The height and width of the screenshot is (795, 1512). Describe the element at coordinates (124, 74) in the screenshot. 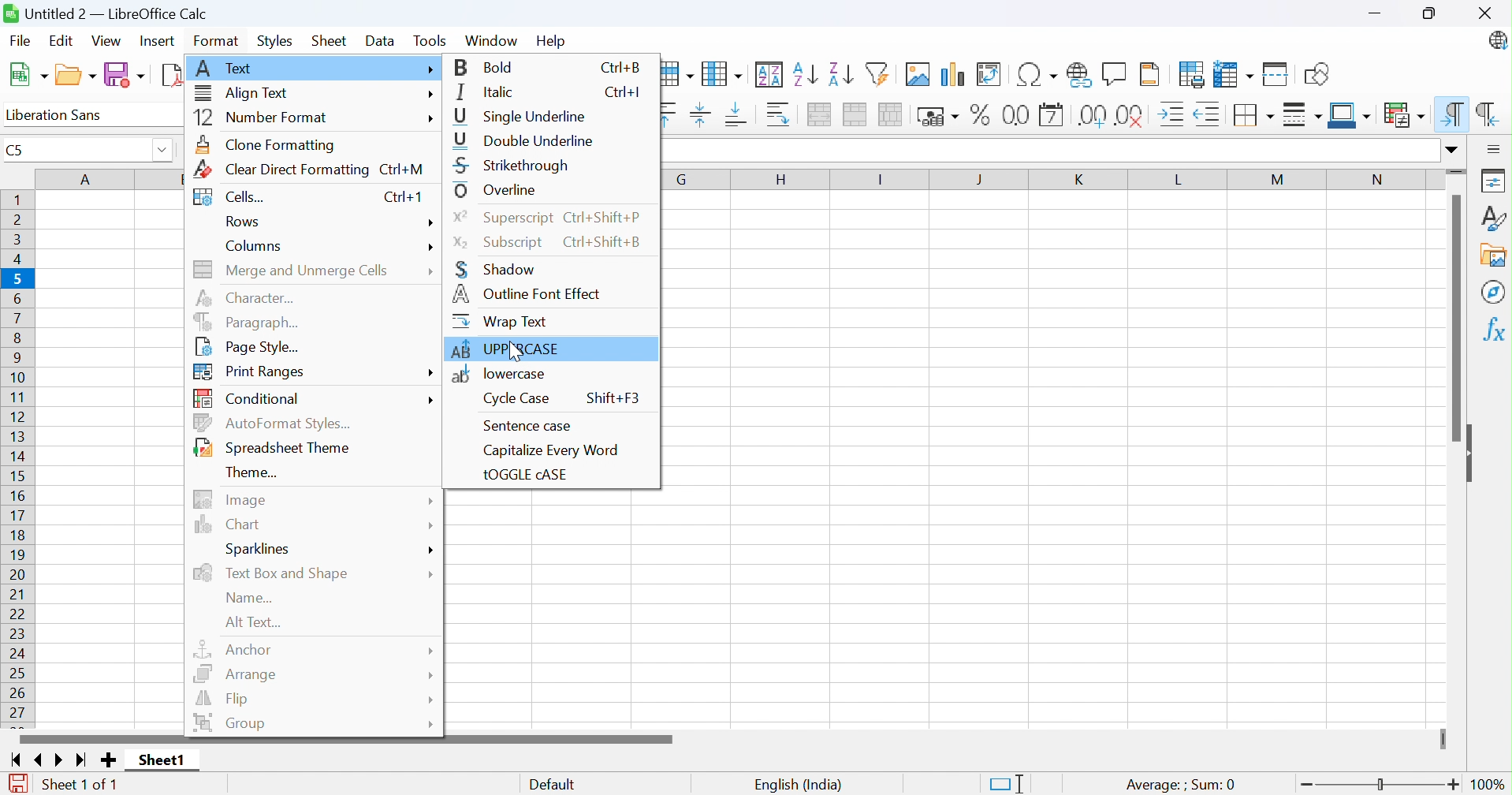

I see `Save` at that location.